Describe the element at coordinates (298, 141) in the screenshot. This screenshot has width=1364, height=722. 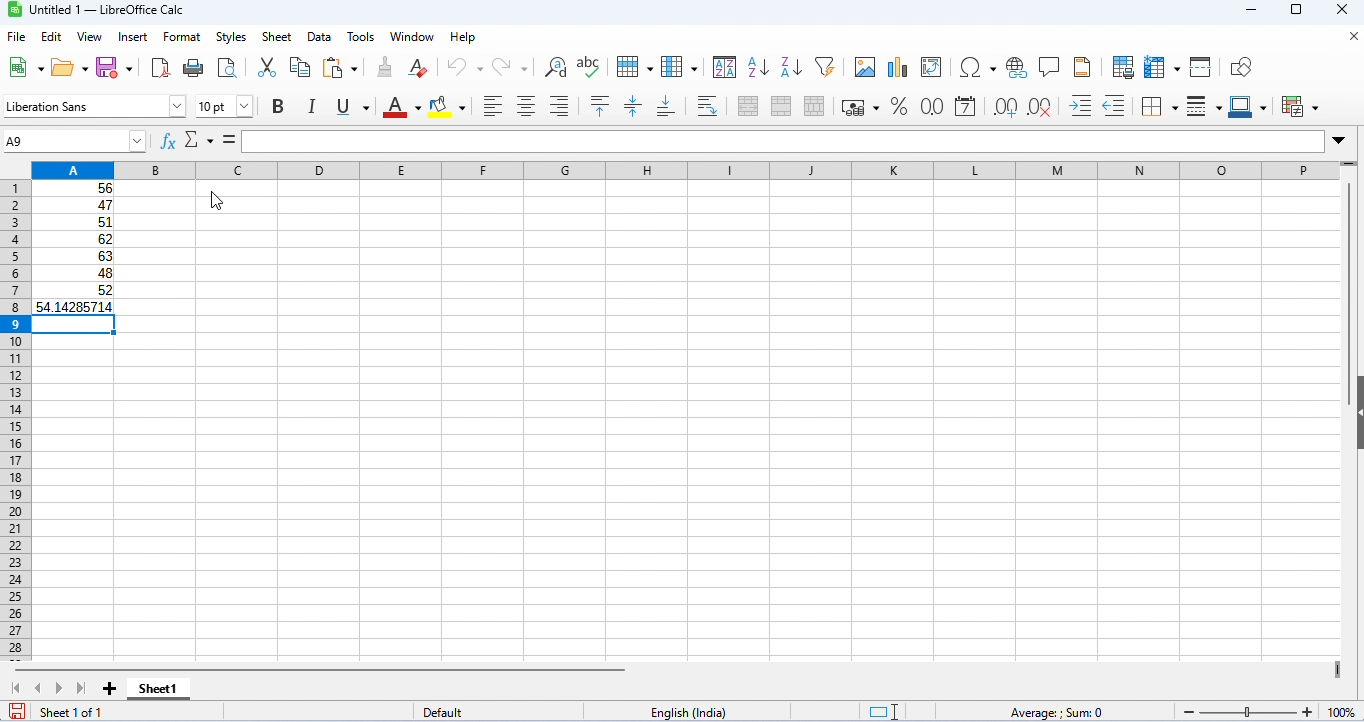
I see `formula for average function` at that location.